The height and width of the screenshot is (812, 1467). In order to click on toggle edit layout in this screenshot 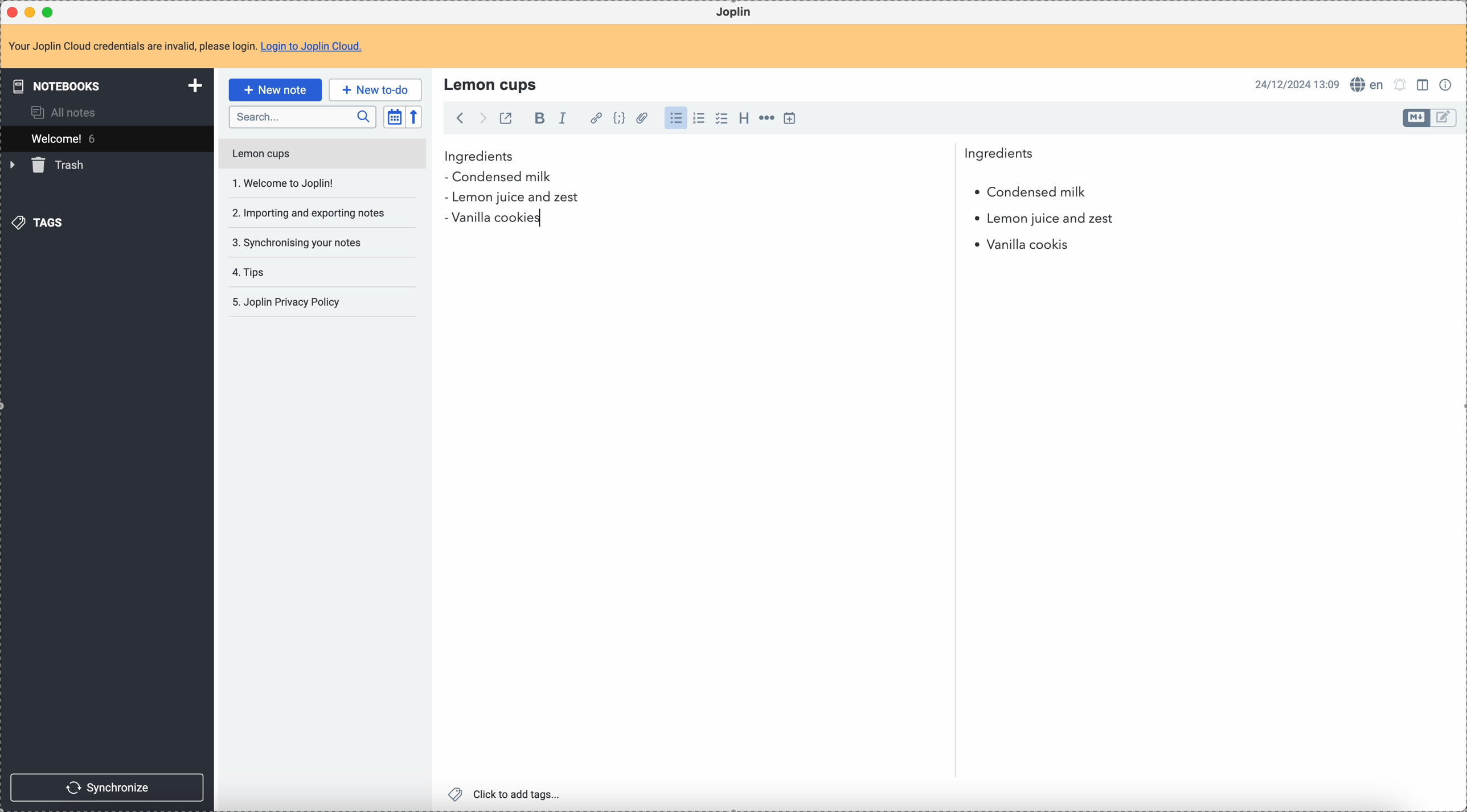, I will do `click(1424, 84)`.